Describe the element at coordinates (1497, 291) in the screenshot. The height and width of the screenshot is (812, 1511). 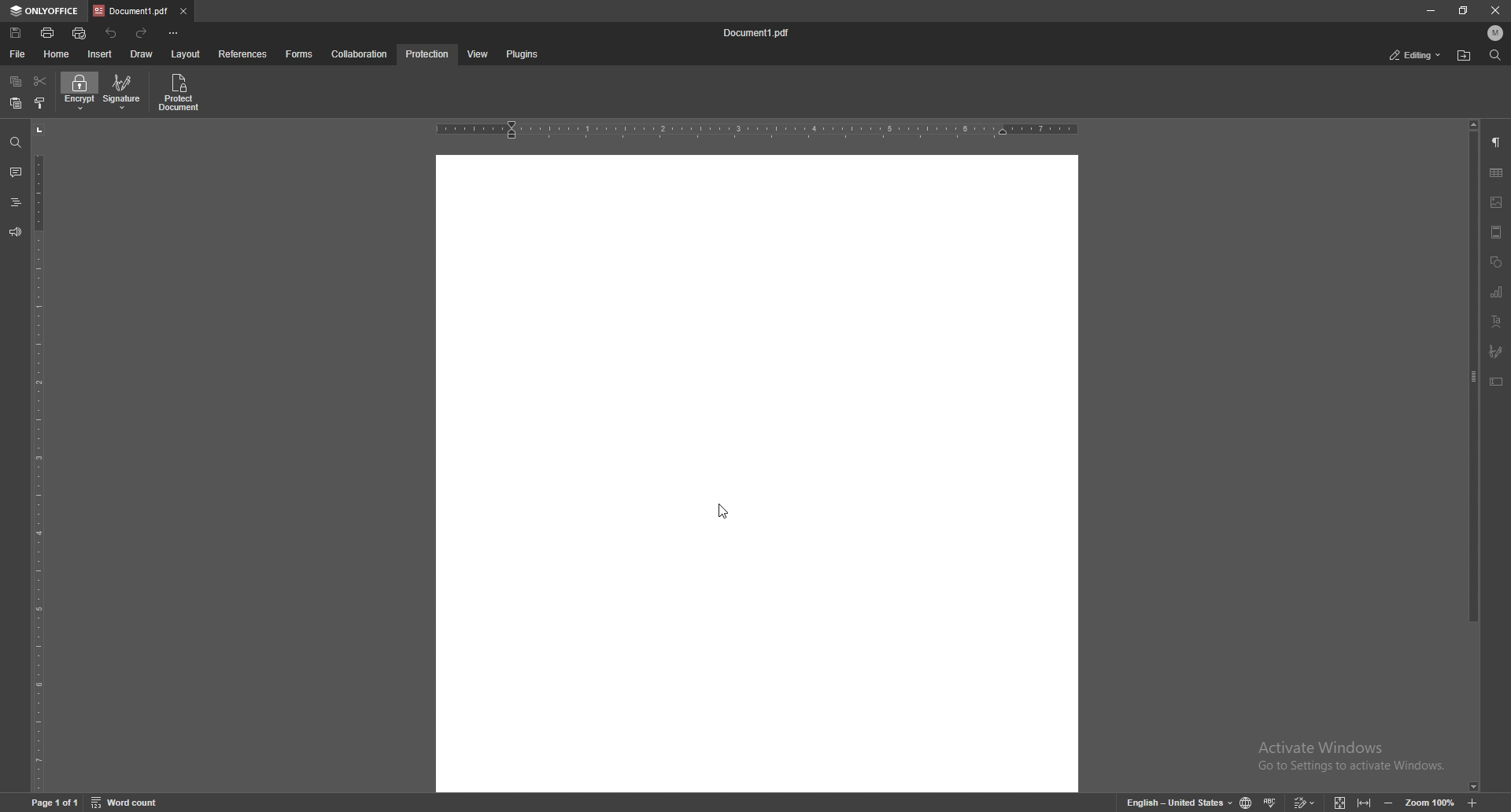
I see `chart` at that location.